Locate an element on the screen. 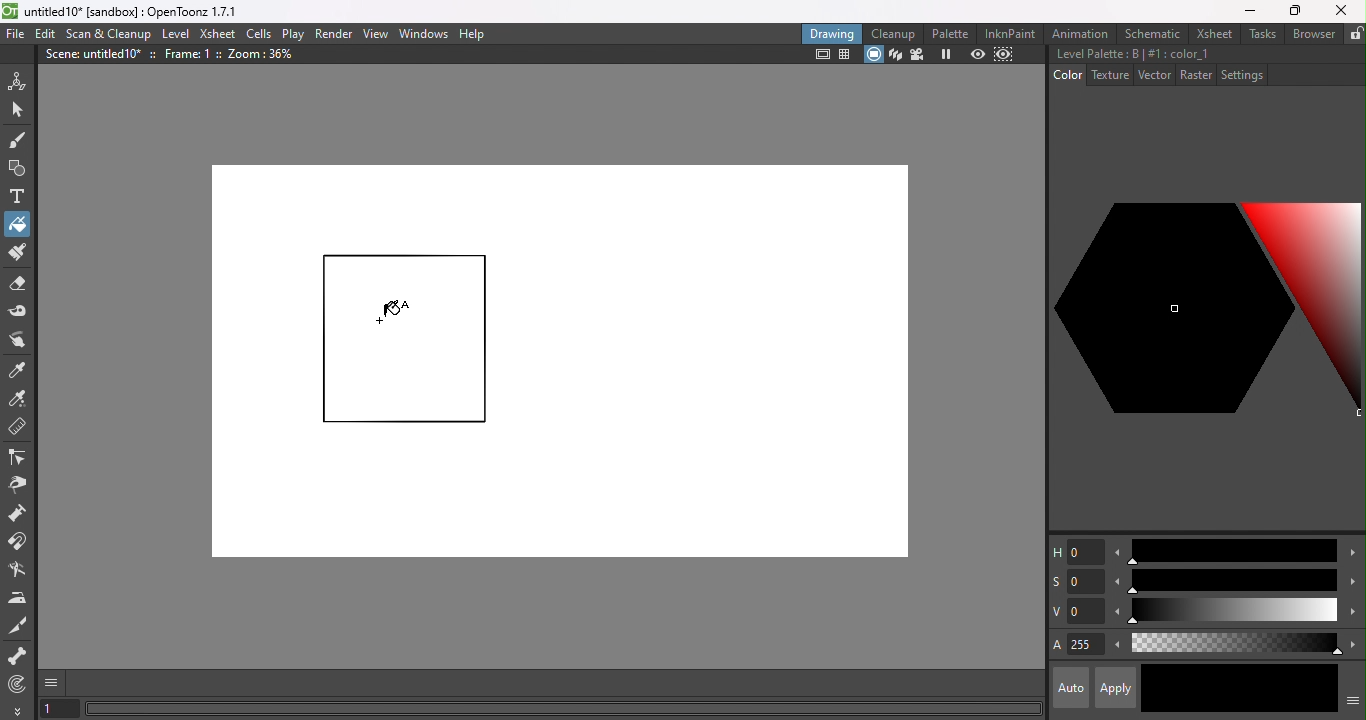  Skeletal tool is located at coordinates (18, 657).